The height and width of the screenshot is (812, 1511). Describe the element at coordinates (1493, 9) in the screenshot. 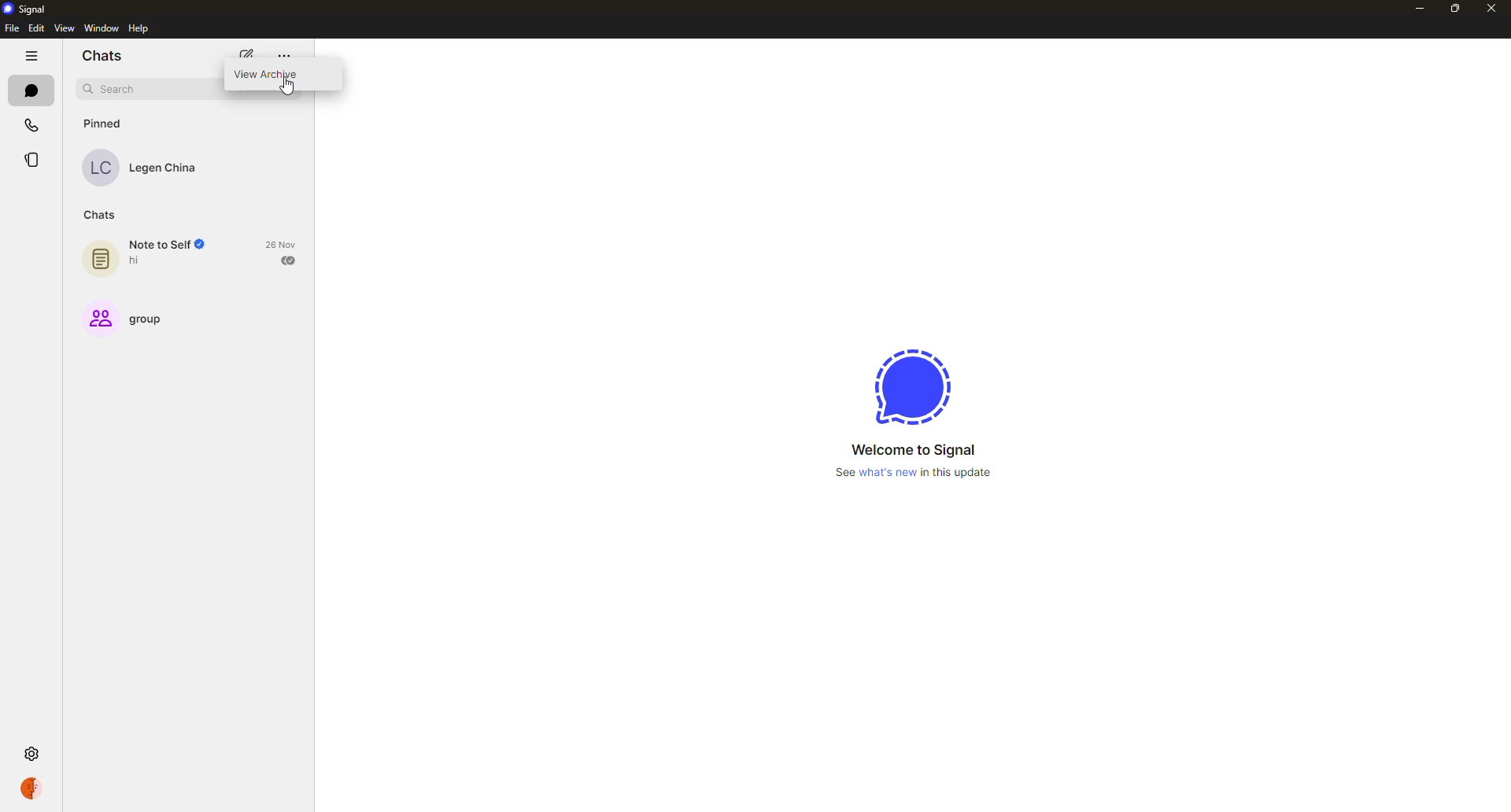

I see `close` at that location.